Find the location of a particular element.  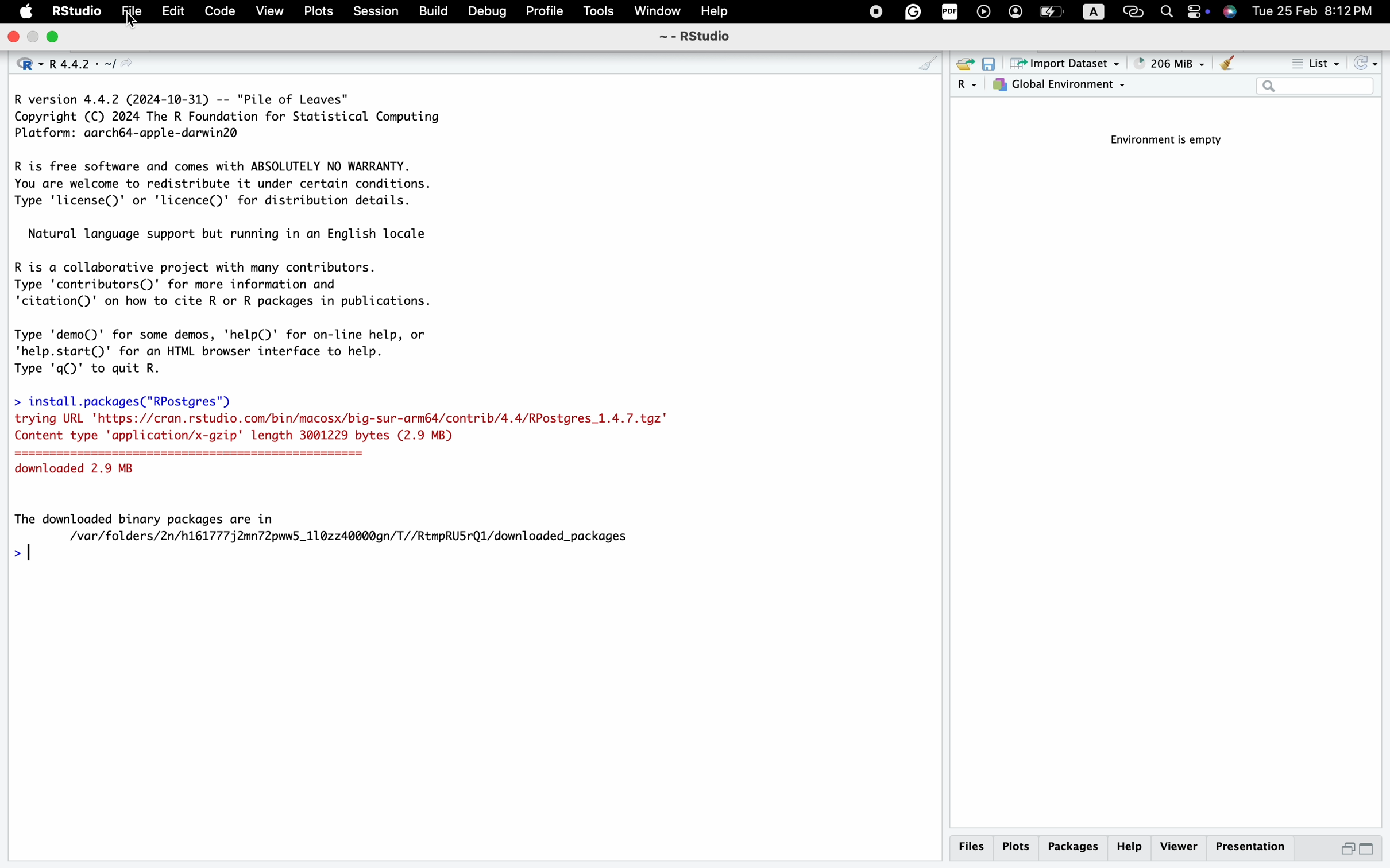

description of contributors is located at coordinates (226, 281).